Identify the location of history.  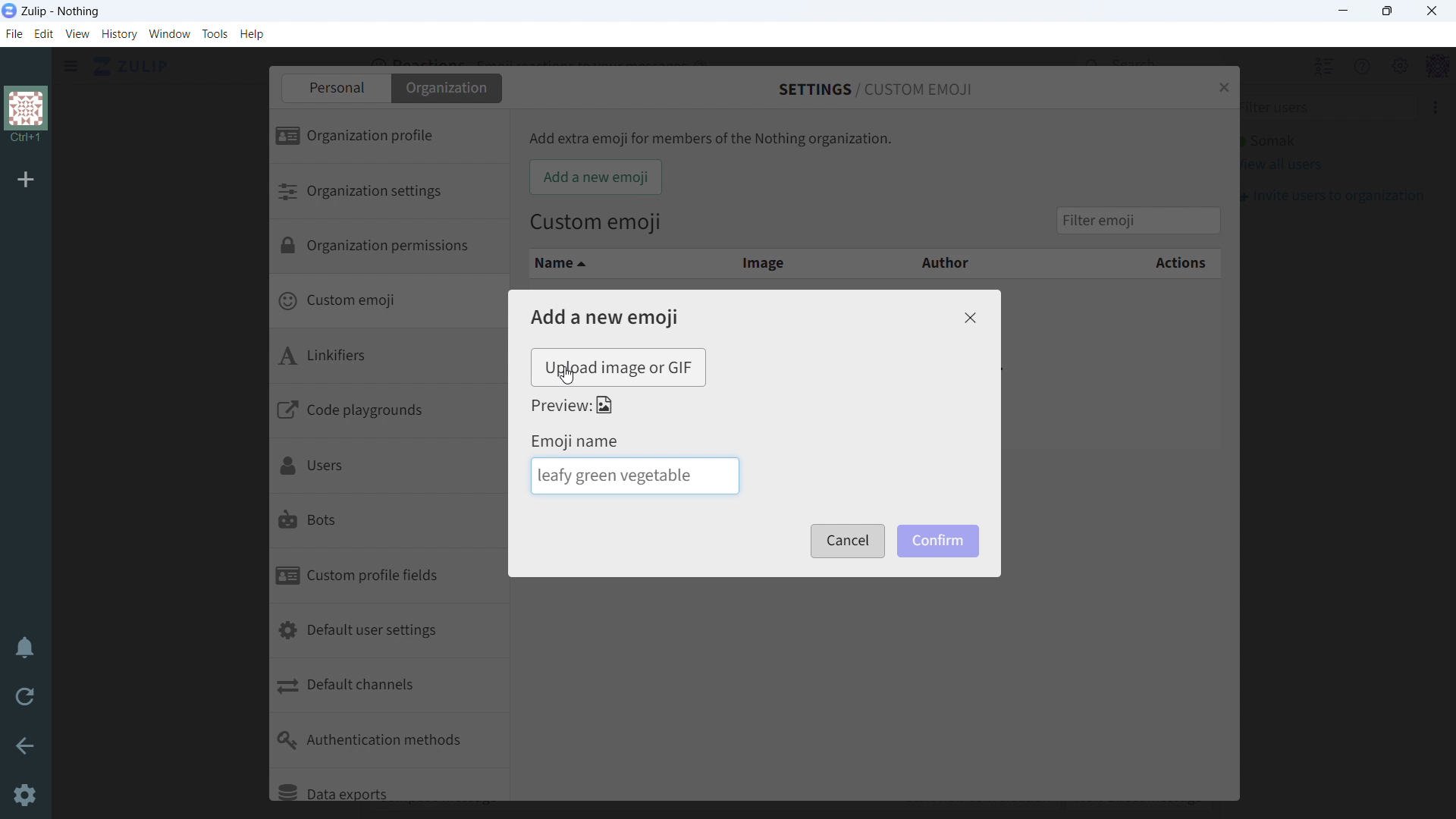
(119, 34).